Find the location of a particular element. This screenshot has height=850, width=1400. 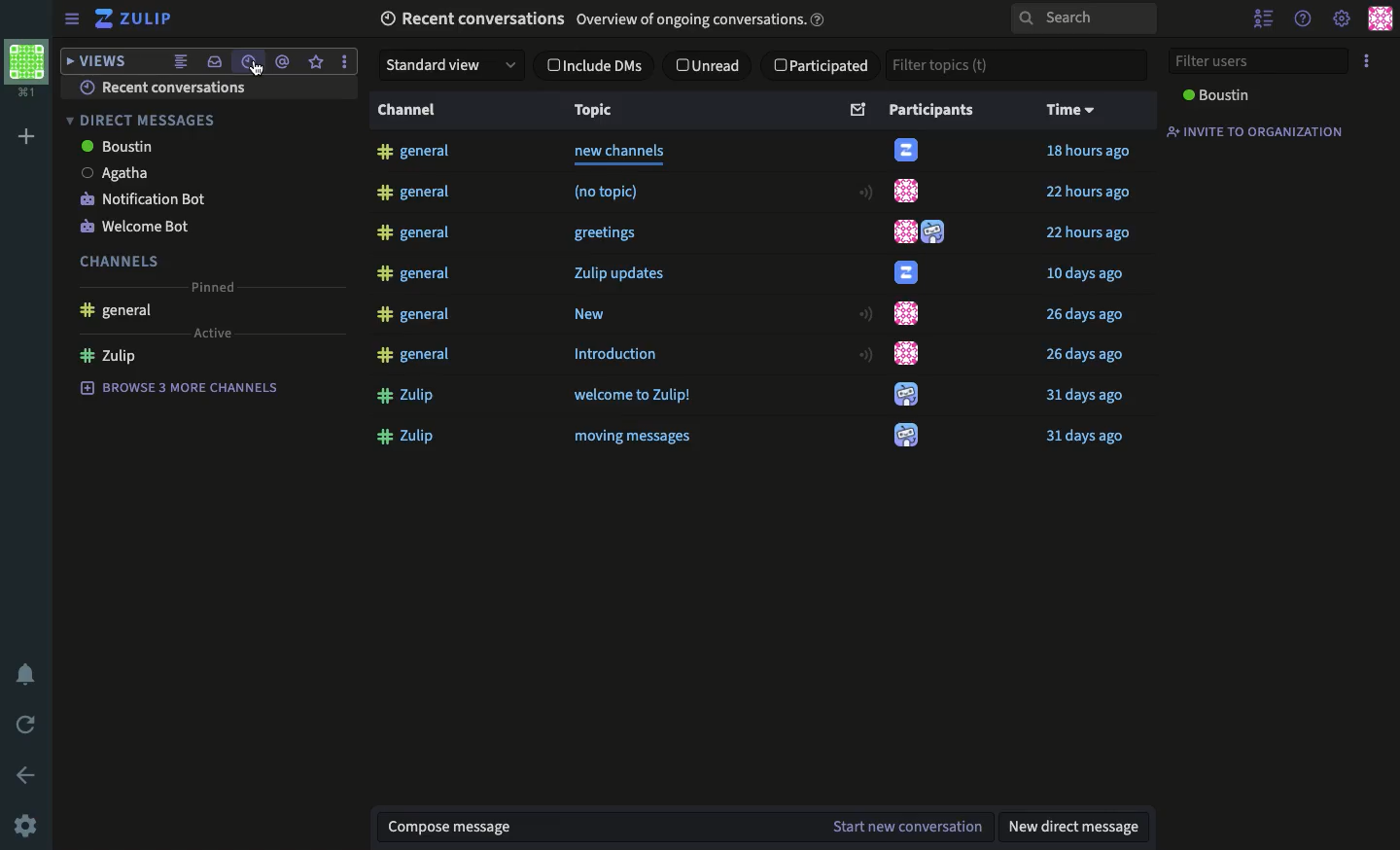

Zulip is located at coordinates (107, 357).